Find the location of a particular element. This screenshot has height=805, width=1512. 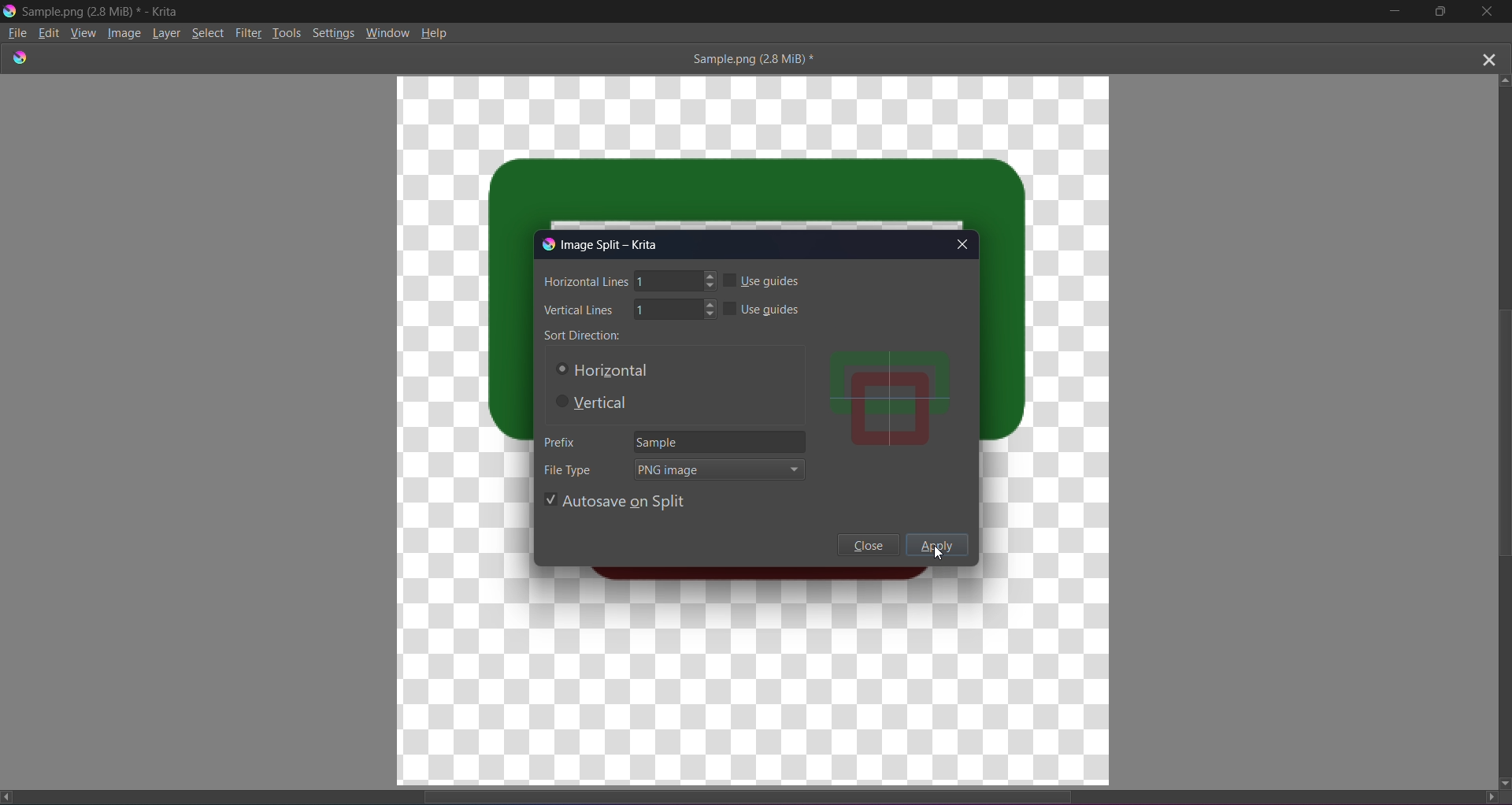

Logo is located at coordinates (9, 10).